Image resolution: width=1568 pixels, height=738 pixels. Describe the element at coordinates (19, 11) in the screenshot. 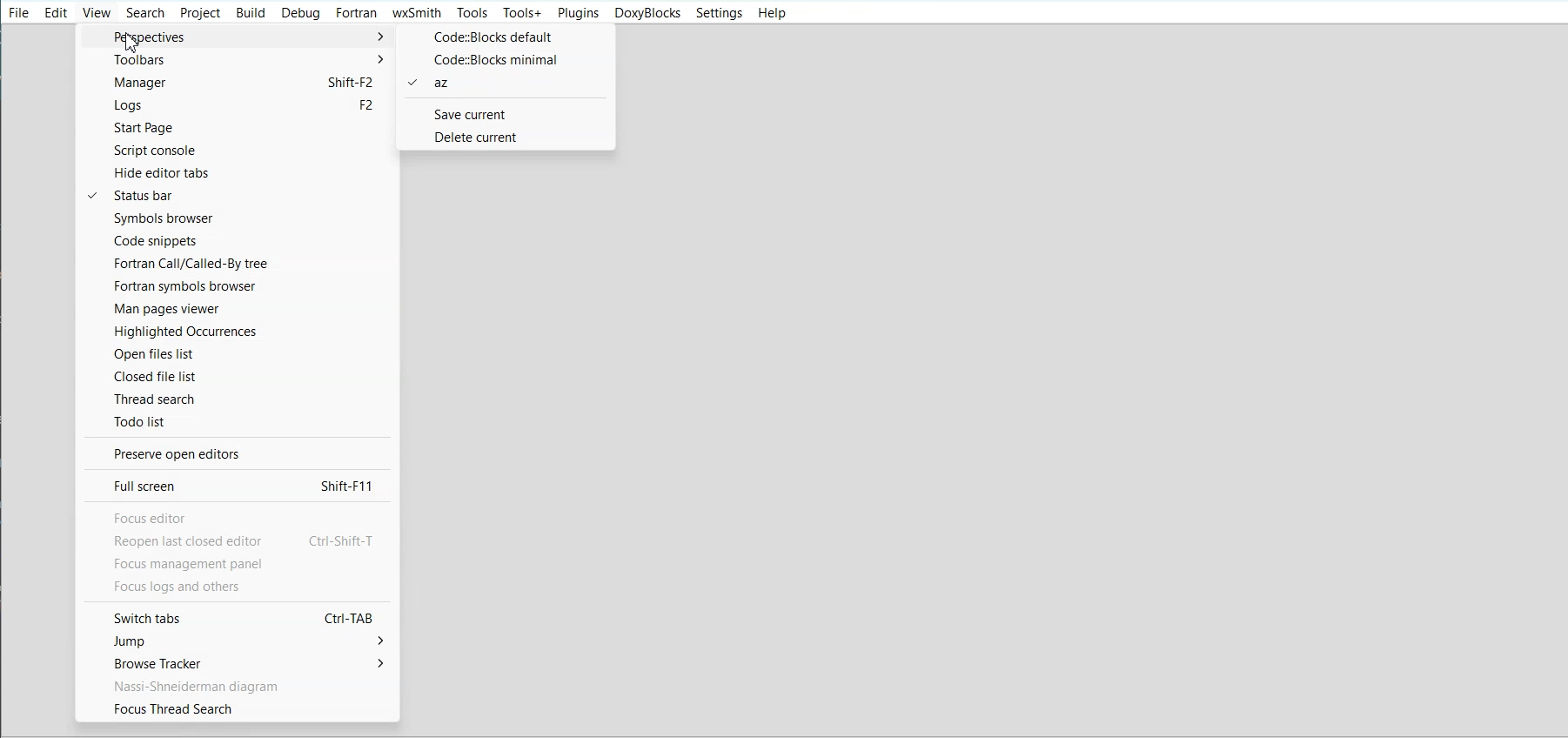

I see `File` at that location.